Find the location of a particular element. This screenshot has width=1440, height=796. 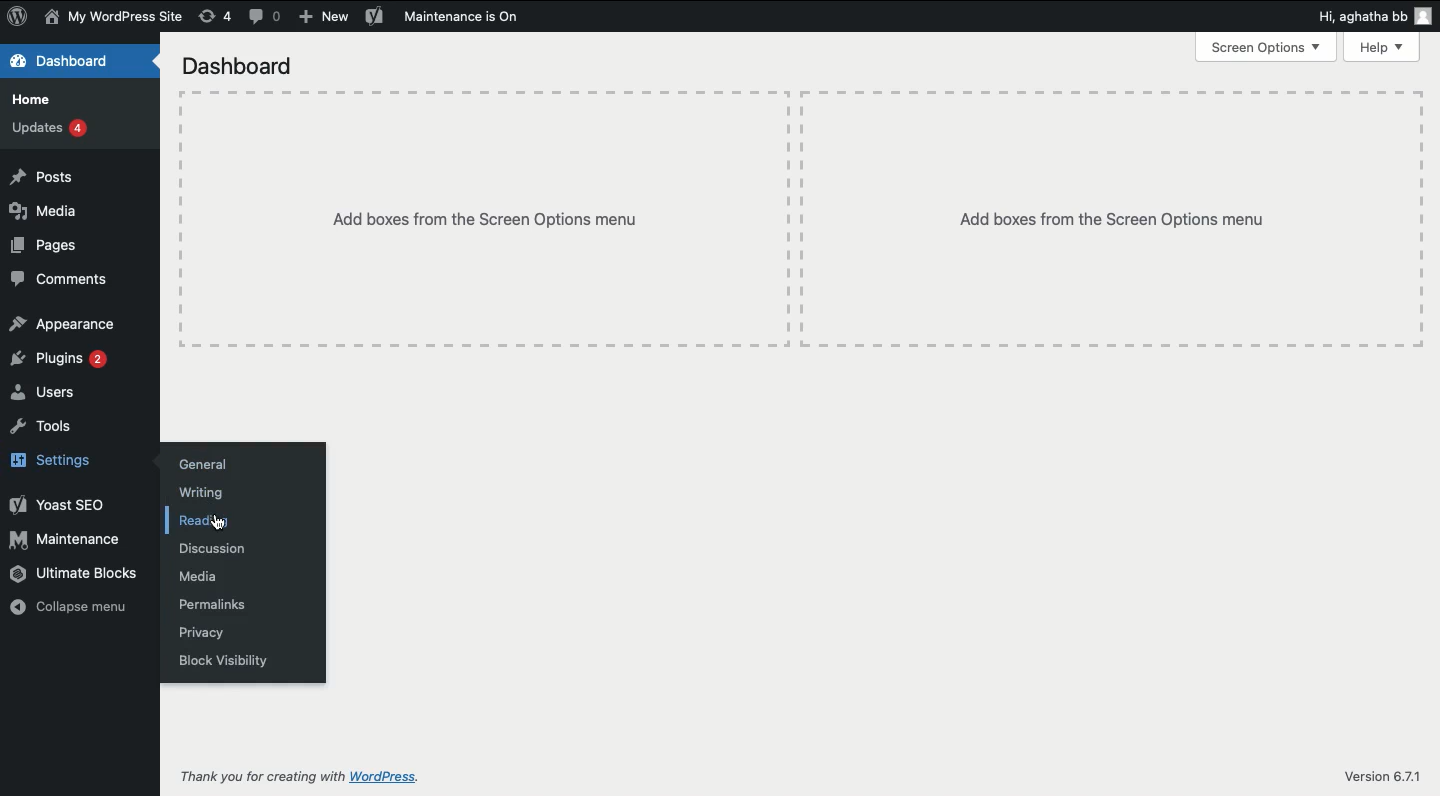

yoast is located at coordinates (374, 17).